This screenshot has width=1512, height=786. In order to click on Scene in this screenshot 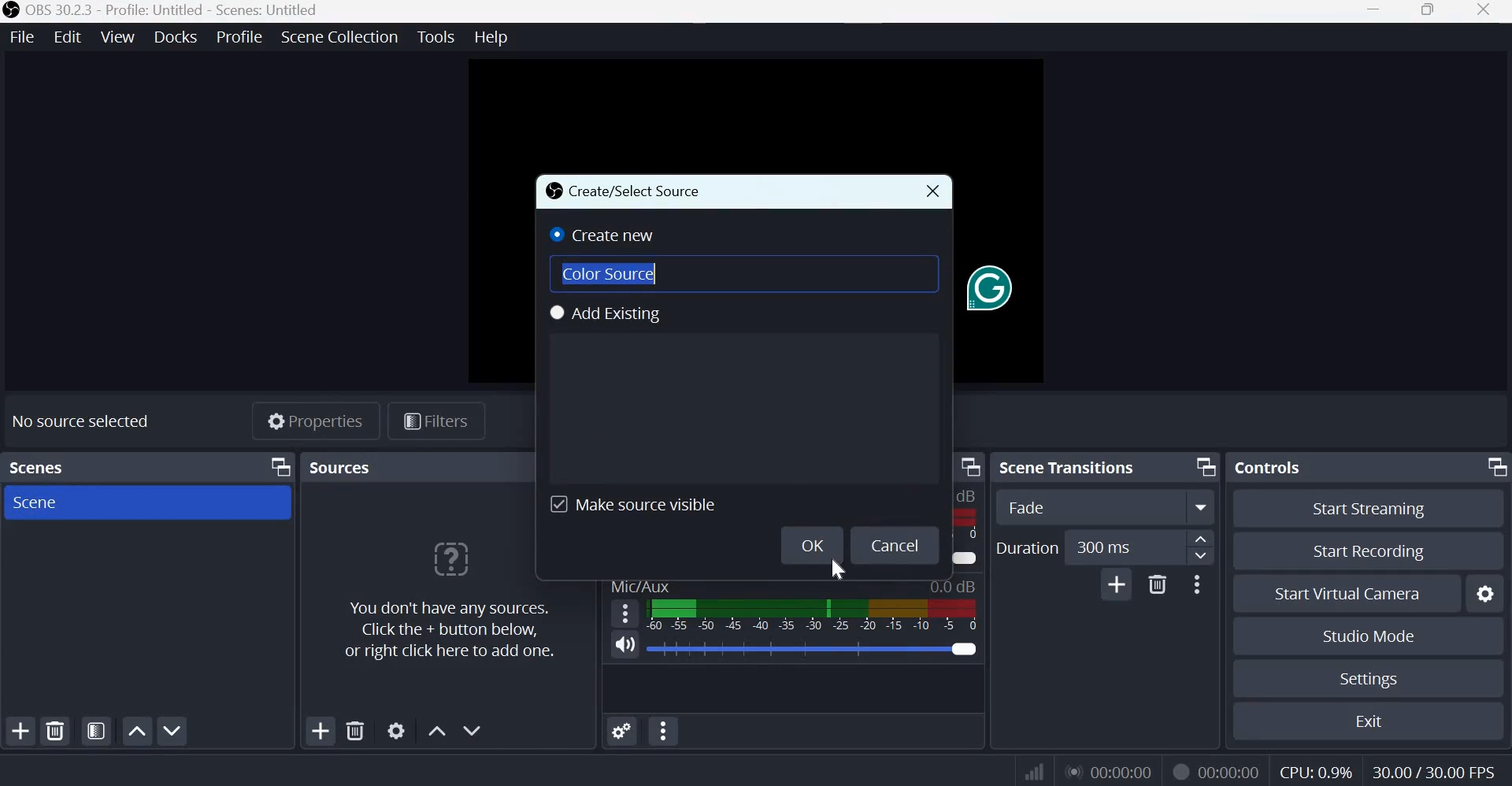, I will do `click(35, 502)`.